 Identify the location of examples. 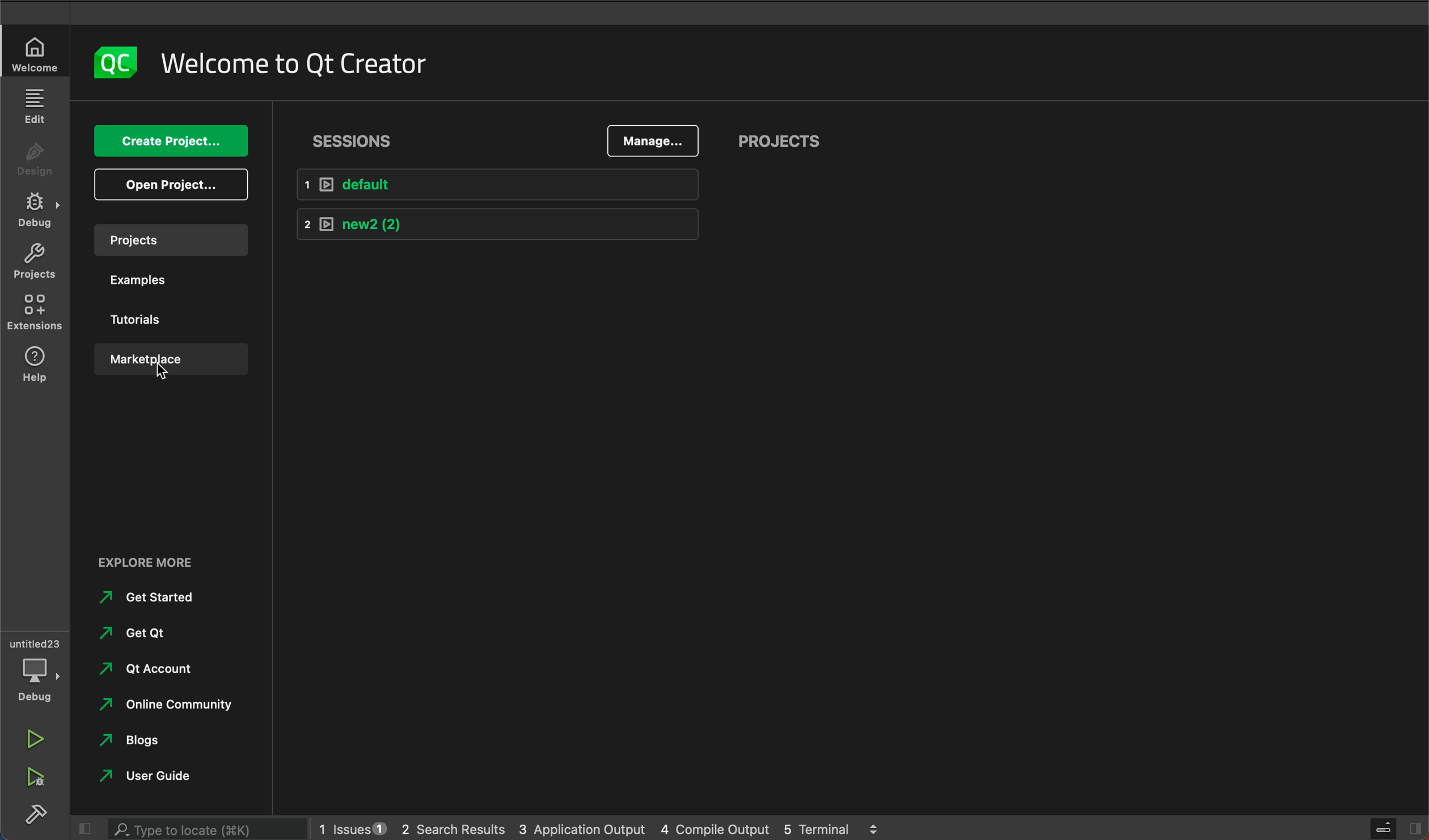
(164, 285).